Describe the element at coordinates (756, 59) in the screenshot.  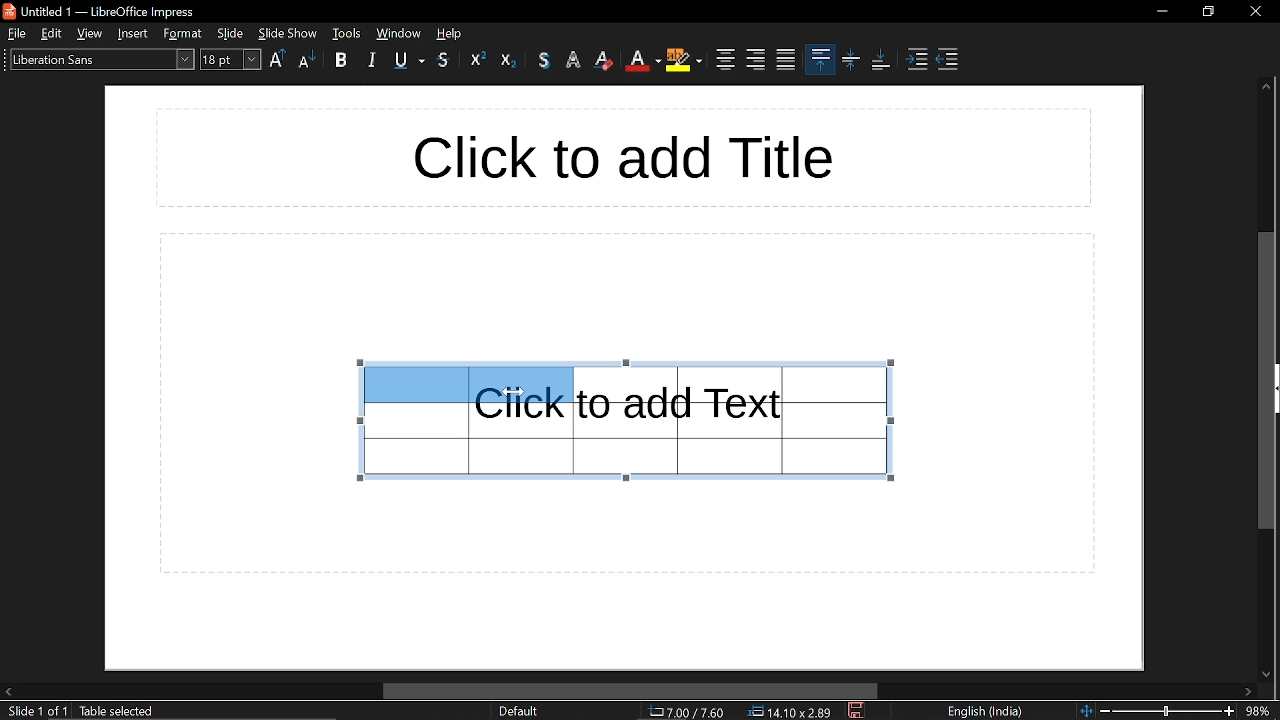
I see `align right` at that location.